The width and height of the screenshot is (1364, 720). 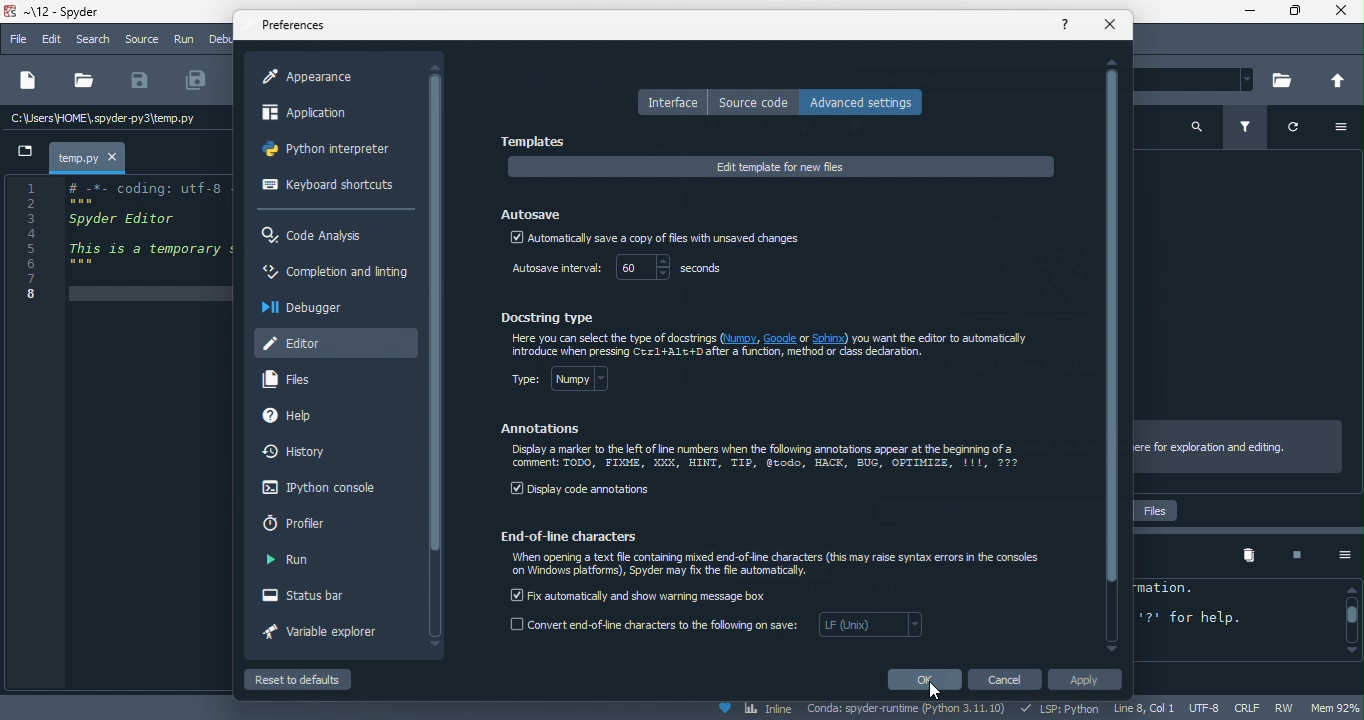 I want to click on vertical scroll bar, so click(x=1112, y=354).